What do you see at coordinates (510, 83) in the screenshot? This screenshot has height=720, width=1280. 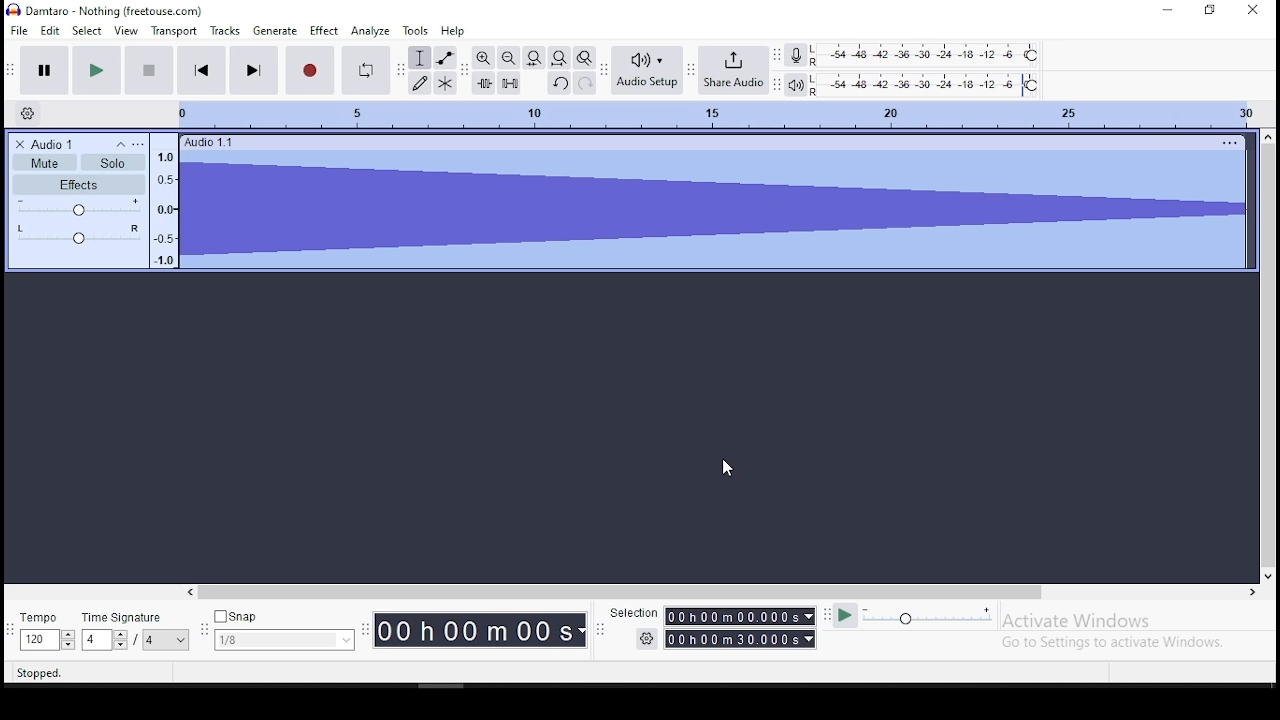 I see `silence audio selection` at bounding box center [510, 83].